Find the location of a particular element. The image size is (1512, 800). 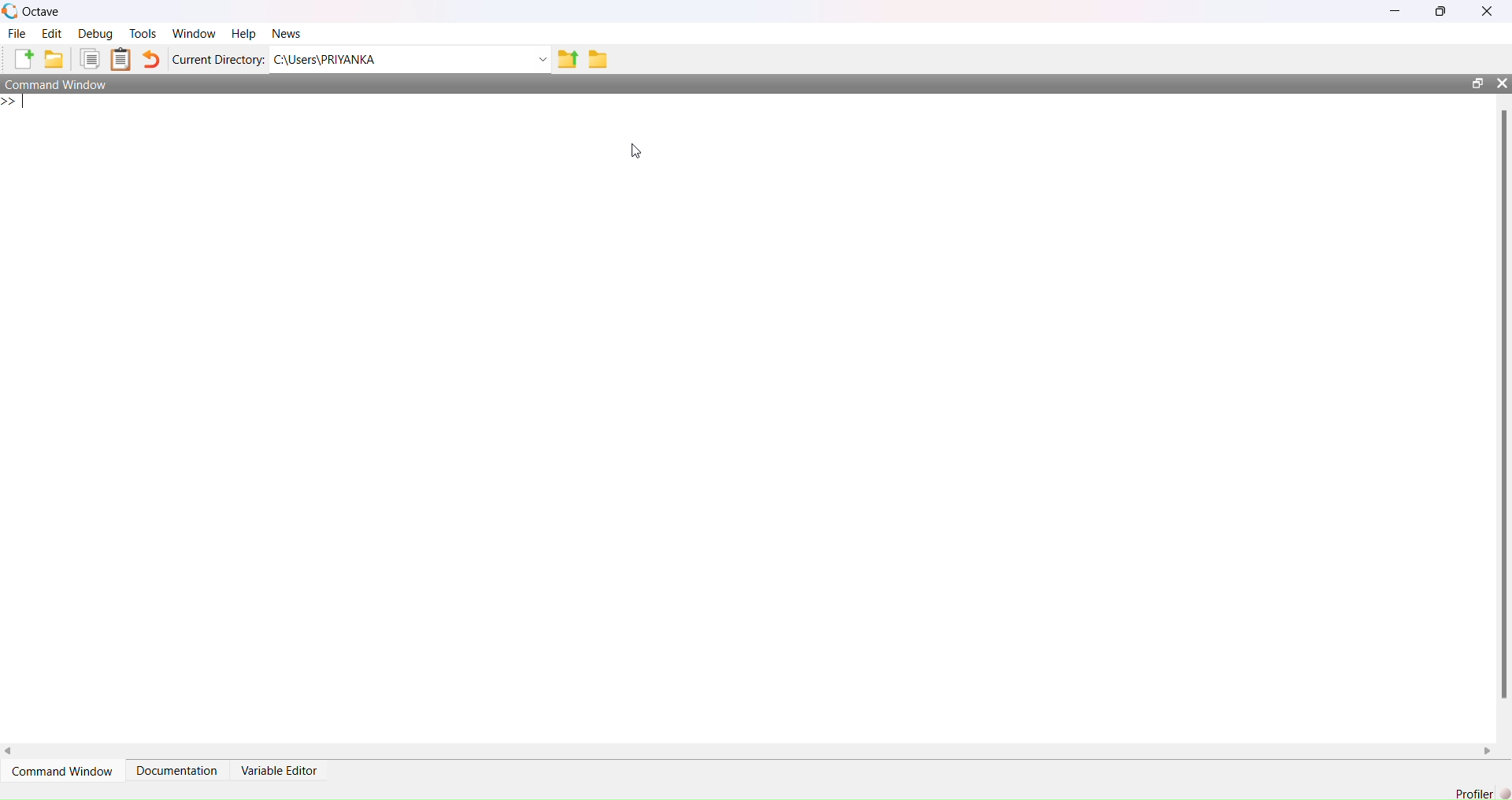

Help is located at coordinates (243, 33).